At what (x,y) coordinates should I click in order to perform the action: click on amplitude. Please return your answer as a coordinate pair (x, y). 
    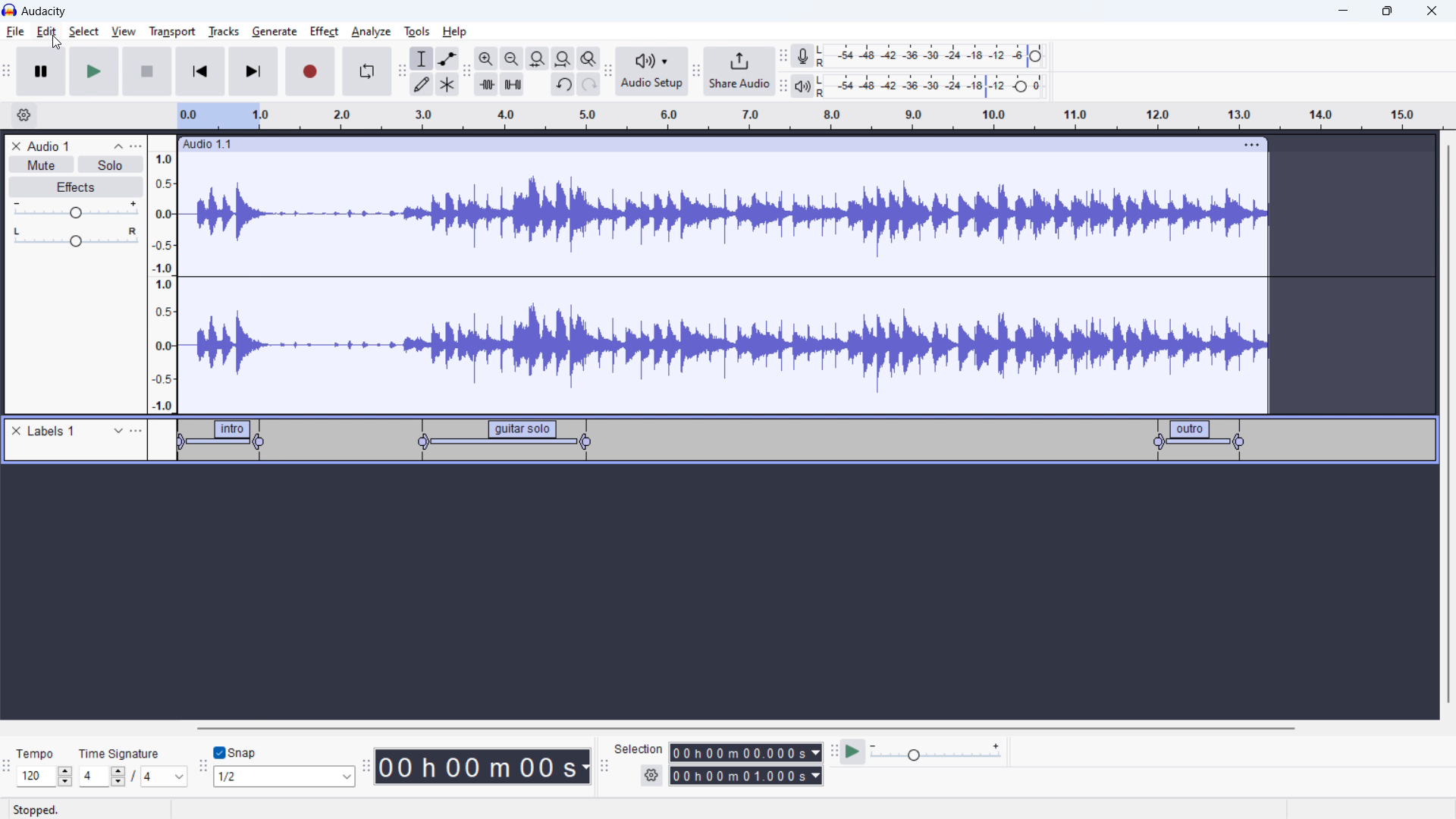
    Looking at the image, I should click on (163, 274).